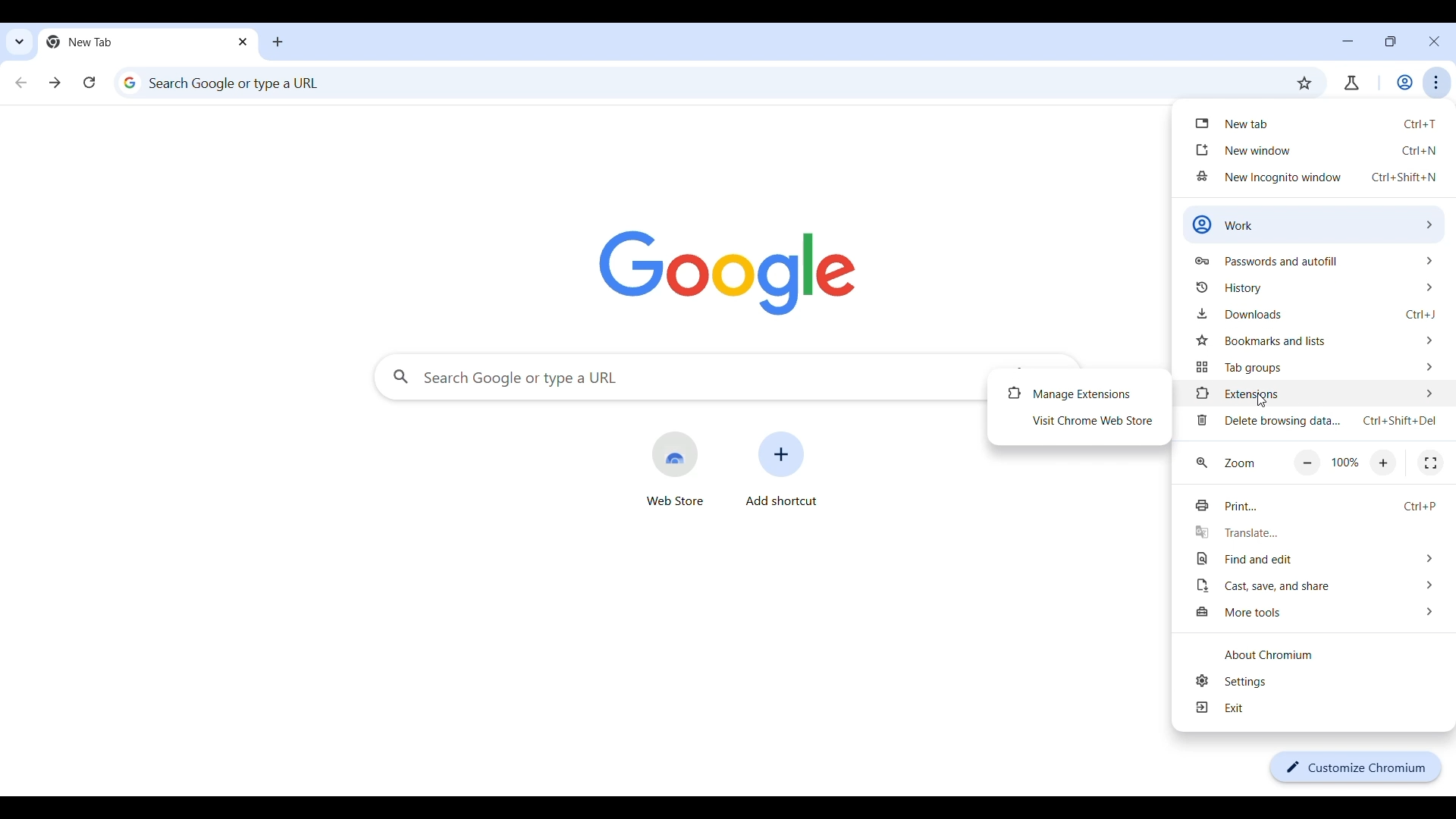  What do you see at coordinates (1316, 507) in the screenshot?
I see `Print` at bounding box center [1316, 507].